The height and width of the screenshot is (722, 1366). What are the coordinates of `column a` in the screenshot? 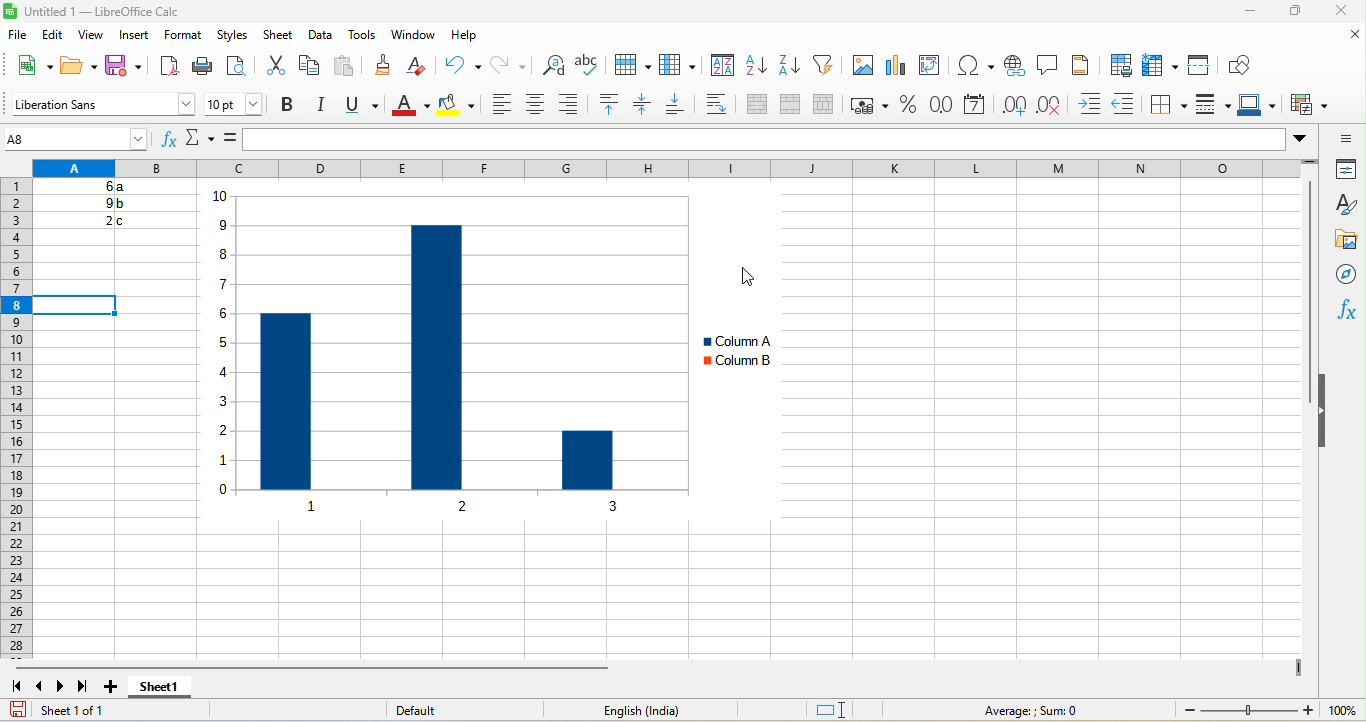 It's located at (736, 339).